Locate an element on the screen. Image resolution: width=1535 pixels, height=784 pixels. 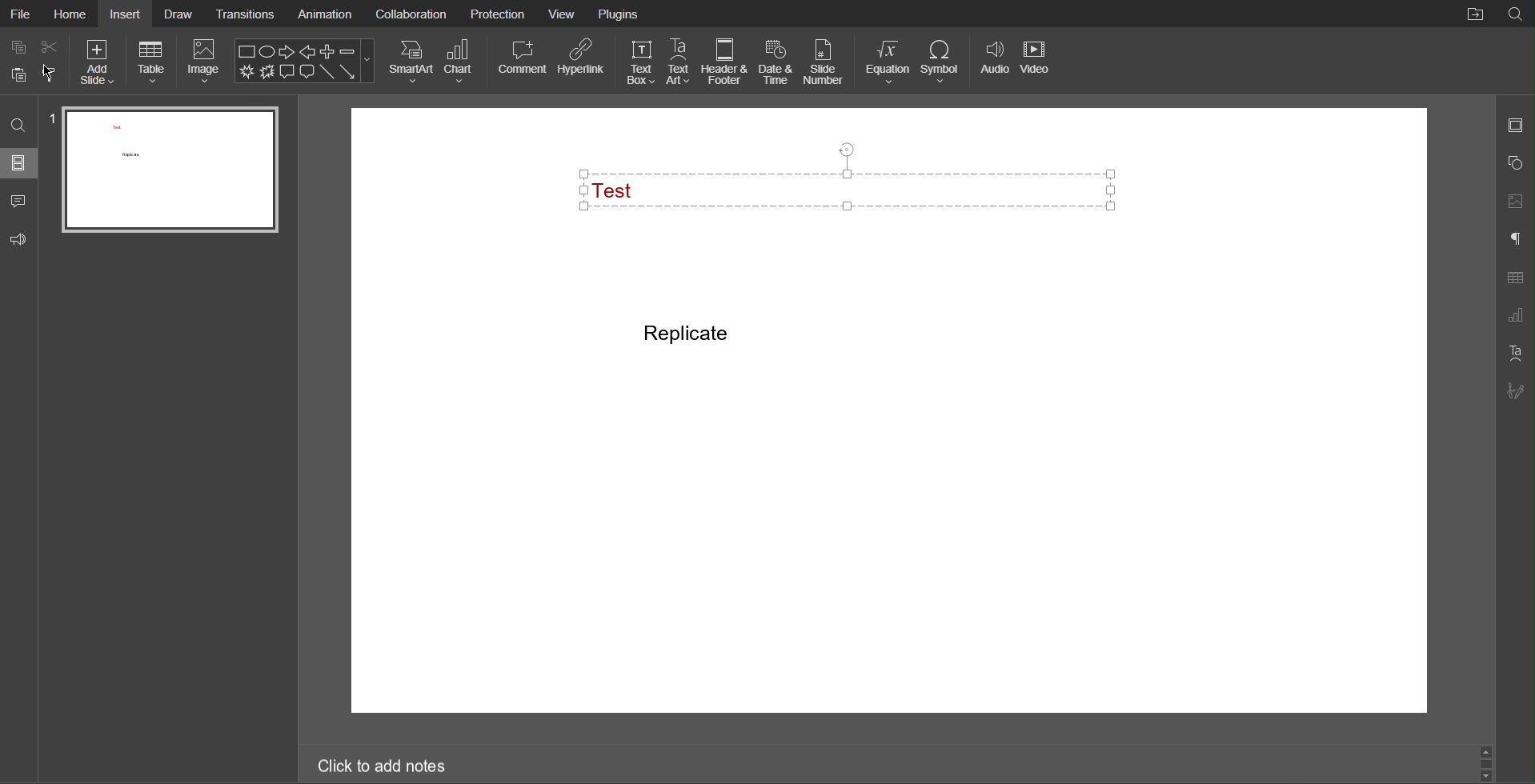
Slide 1 is located at coordinates (168, 171).